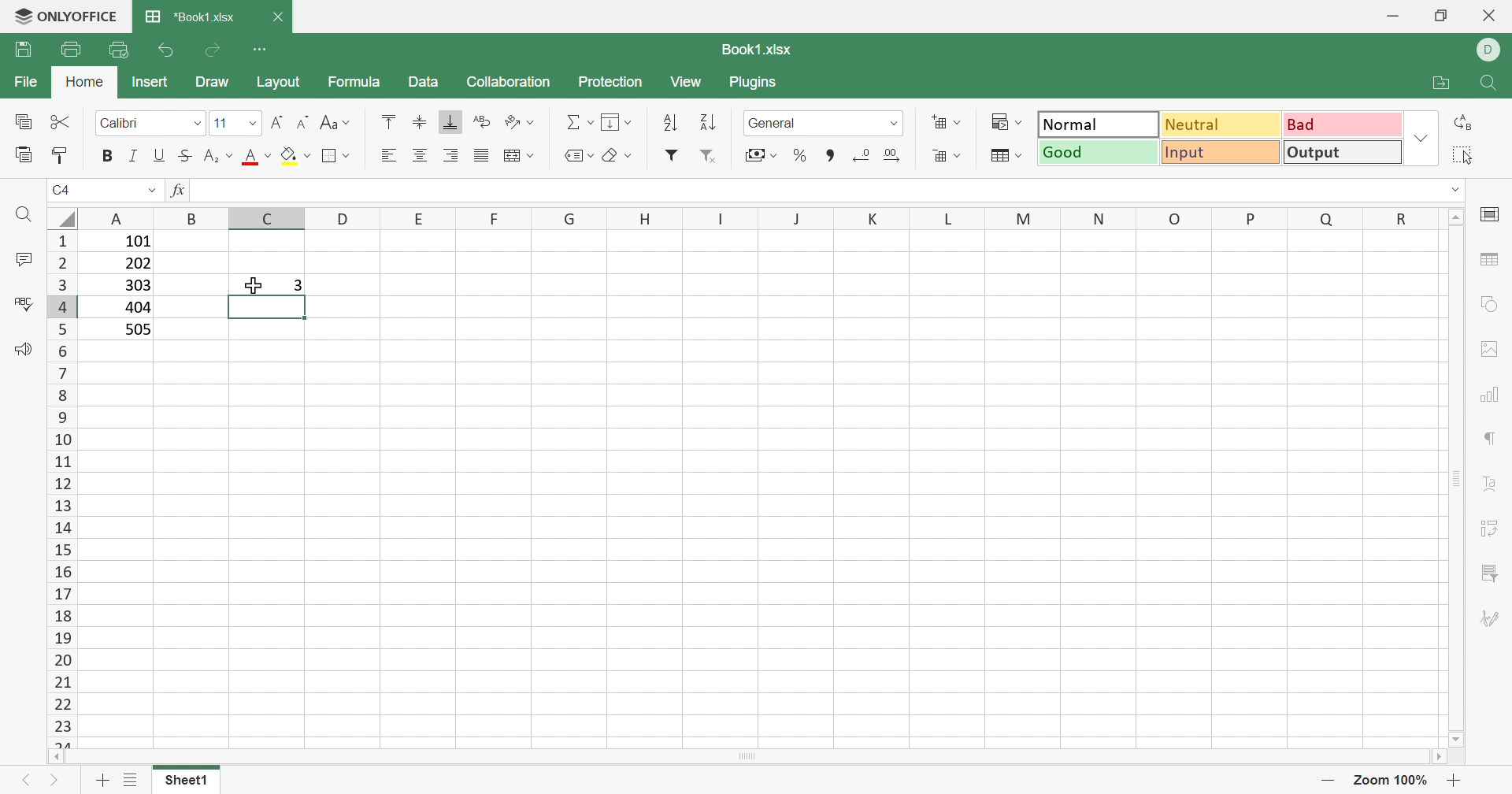 The image size is (1512, 794). I want to click on Drop Down, so click(1421, 138).